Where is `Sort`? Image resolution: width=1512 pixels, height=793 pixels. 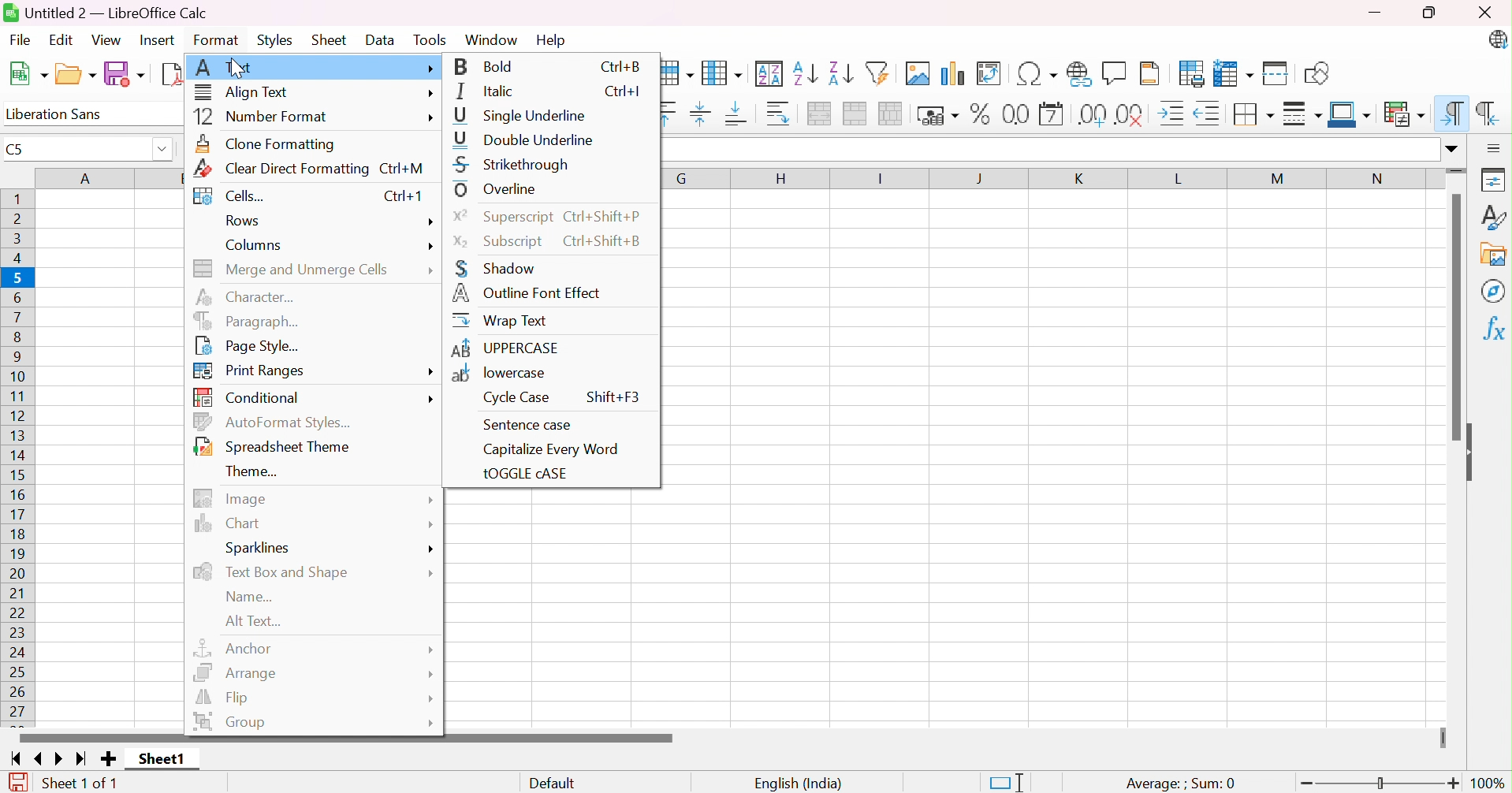
Sort is located at coordinates (771, 72).